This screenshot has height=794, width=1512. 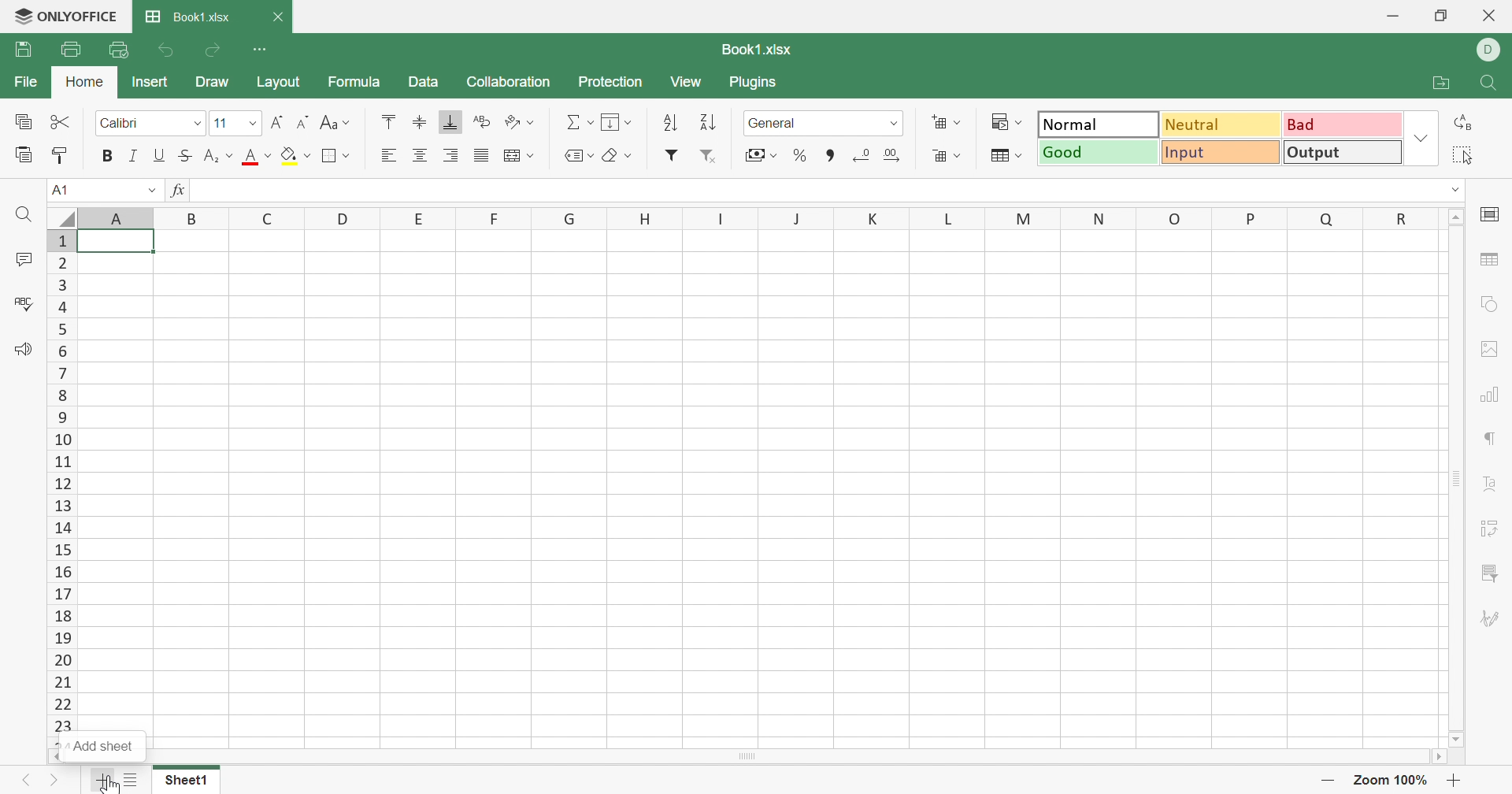 What do you see at coordinates (537, 120) in the screenshot?
I see `Orientation drop down` at bounding box center [537, 120].